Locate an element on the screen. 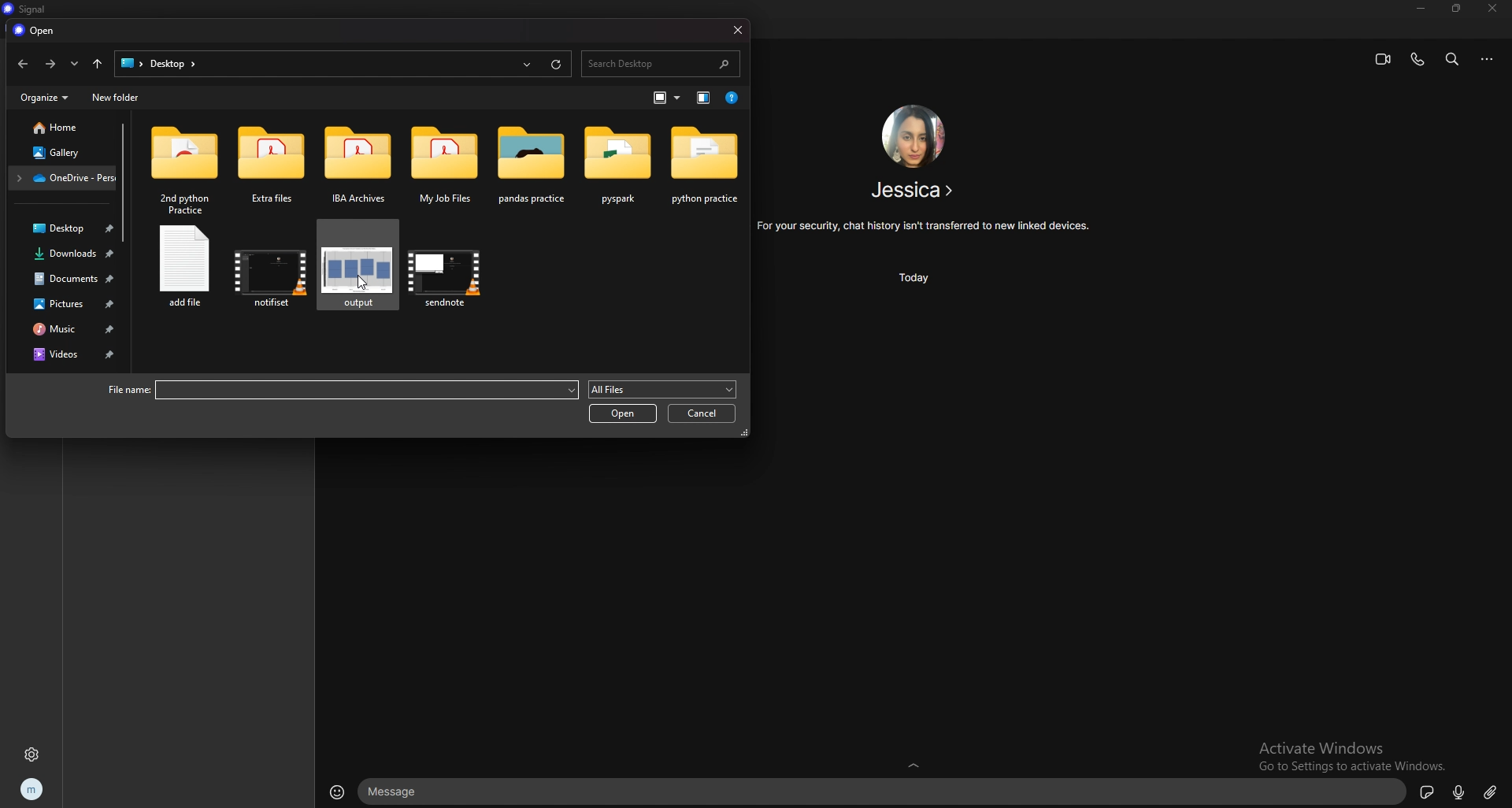 This screenshot has height=808, width=1512. close is located at coordinates (740, 30).